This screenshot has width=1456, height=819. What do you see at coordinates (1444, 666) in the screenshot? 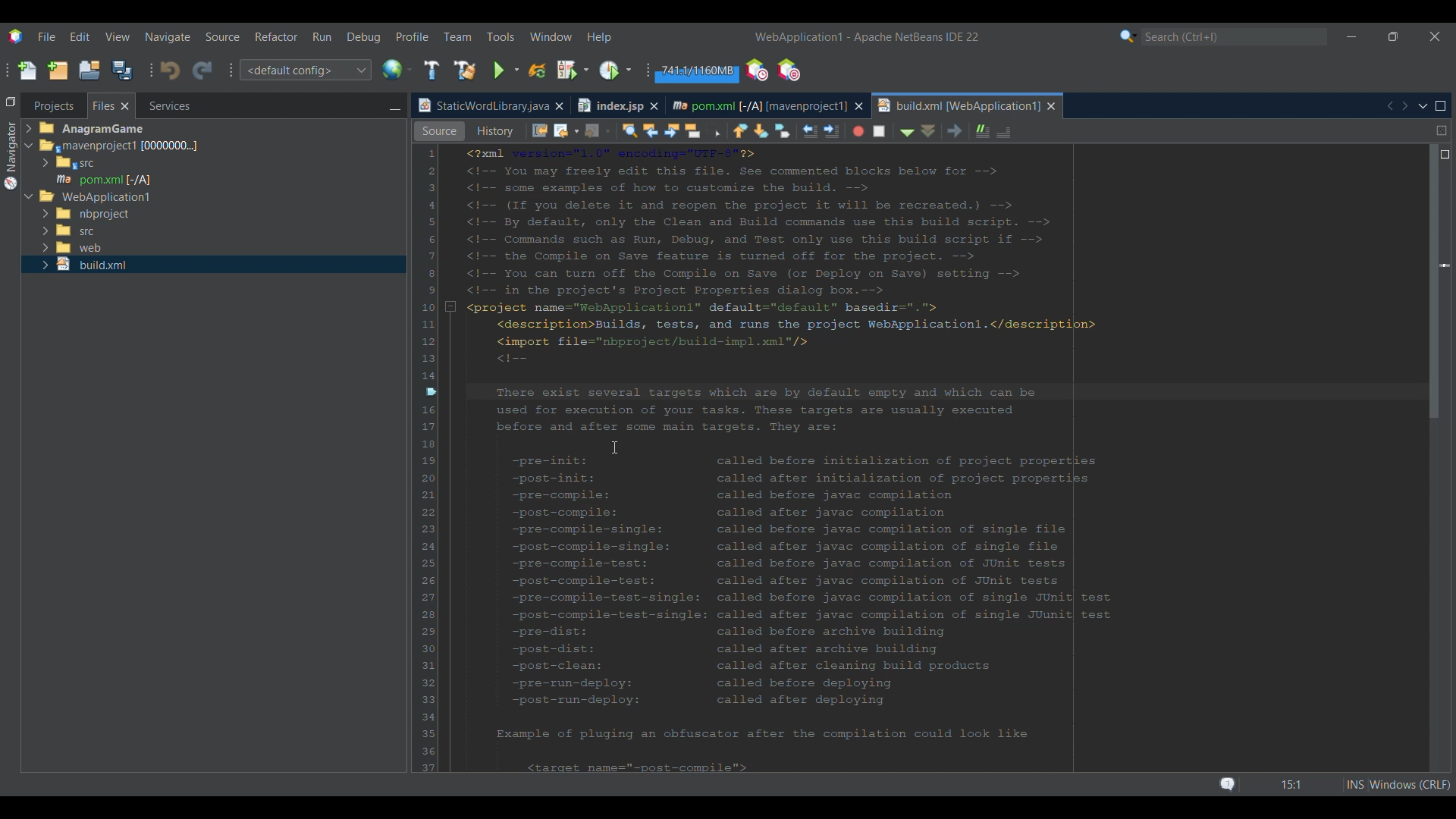
I see `Markers` at bounding box center [1444, 666].